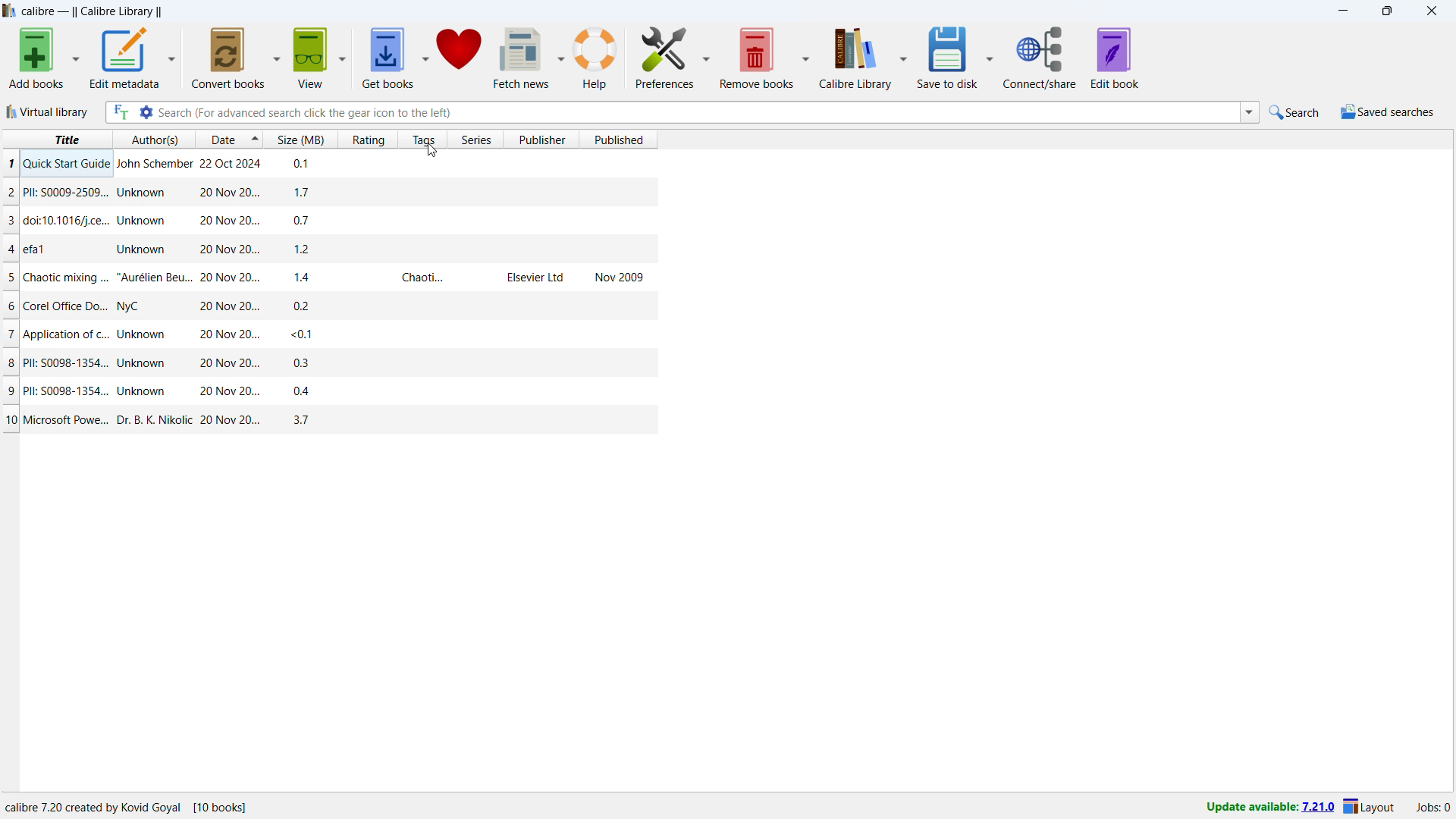  What do you see at coordinates (130, 807) in the screenshot?
I see `software program information` at bounding box center [130, 807].